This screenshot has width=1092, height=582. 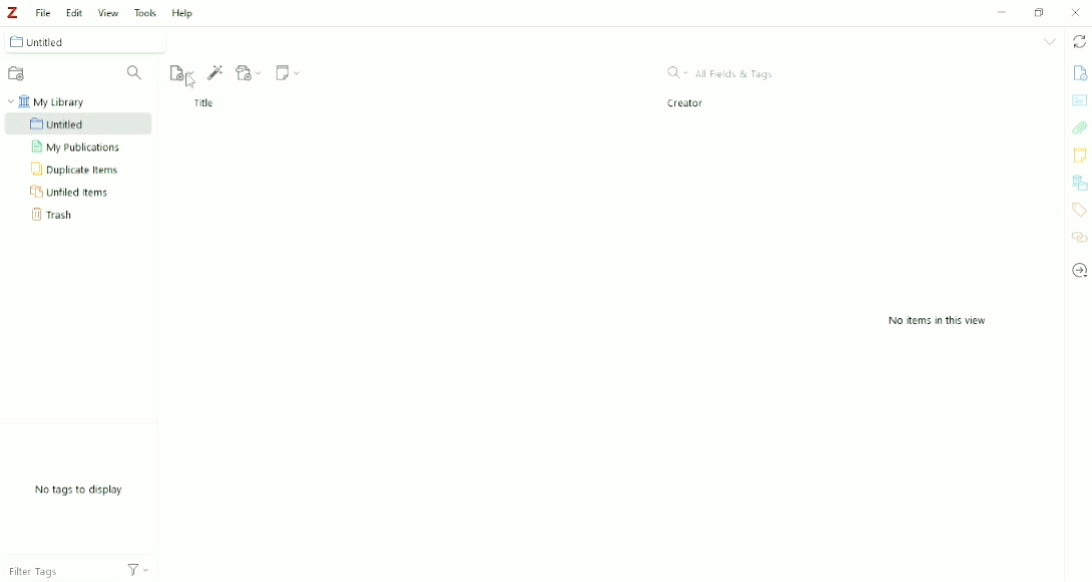 I want to click on New Item, so click(x=182, y=72).